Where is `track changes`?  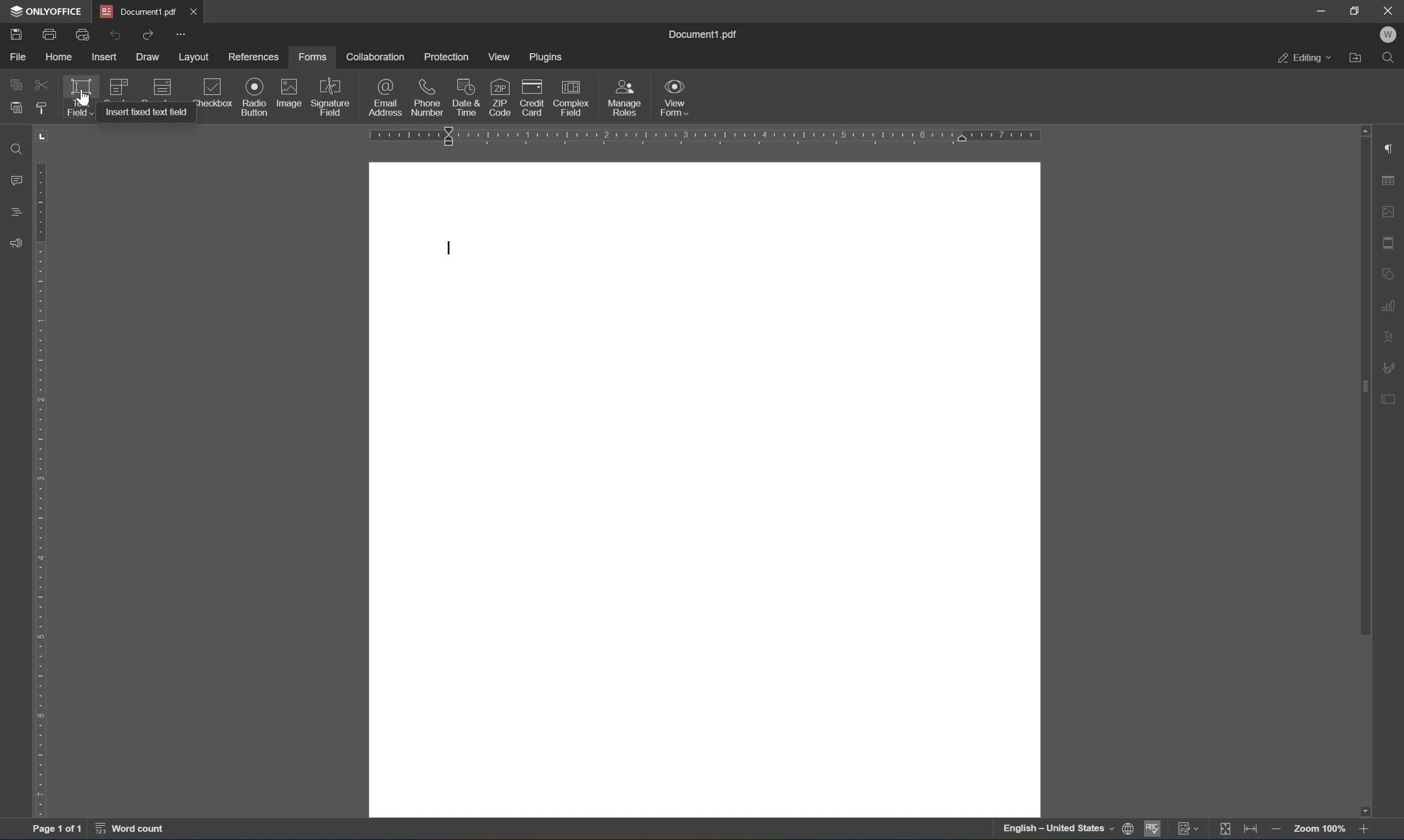 track changes is located at coordinates (1192, 830).